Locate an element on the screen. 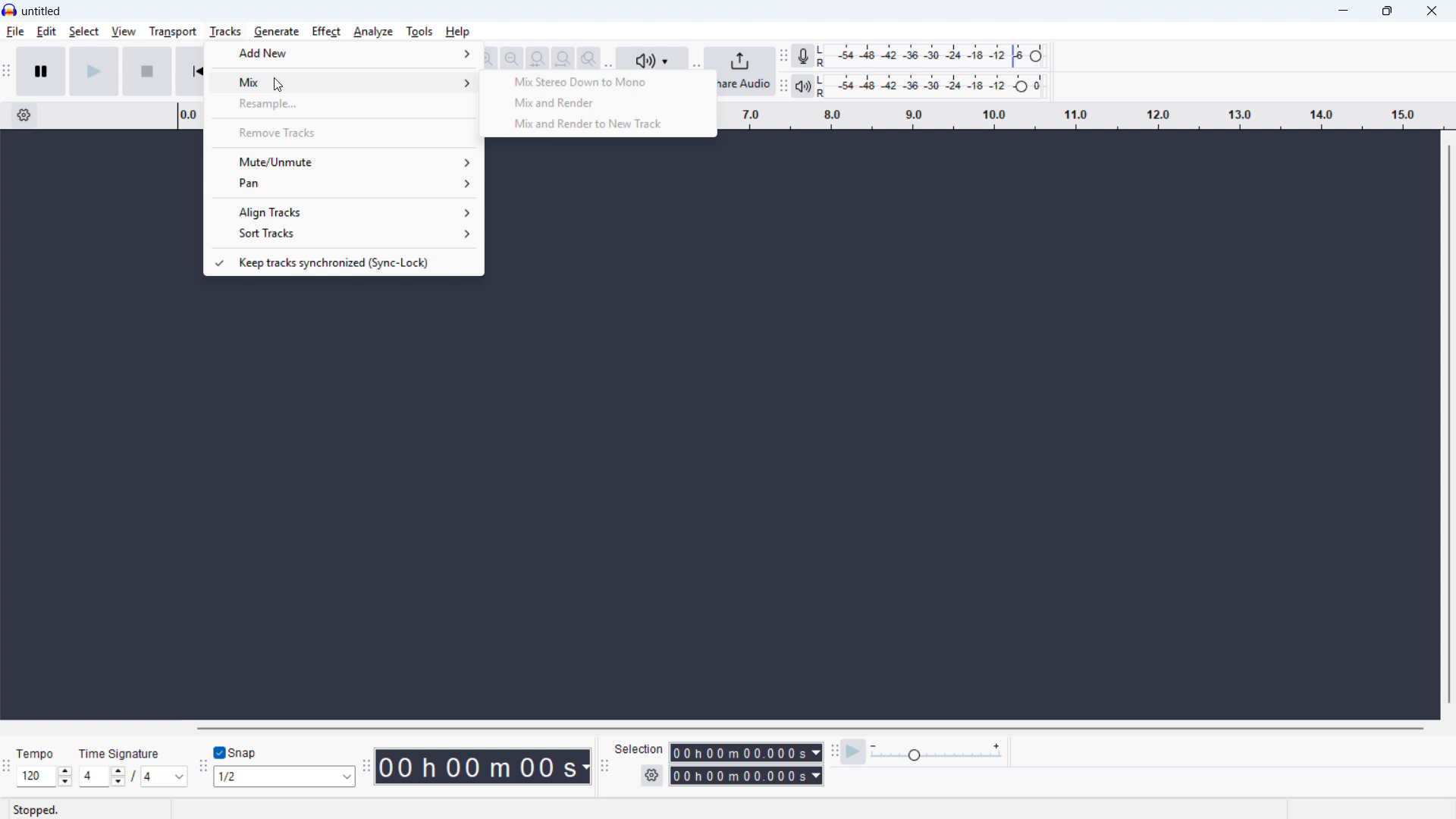 This screenshot has width=1456, height=819. Add new   is located at coordinates (341, 52).